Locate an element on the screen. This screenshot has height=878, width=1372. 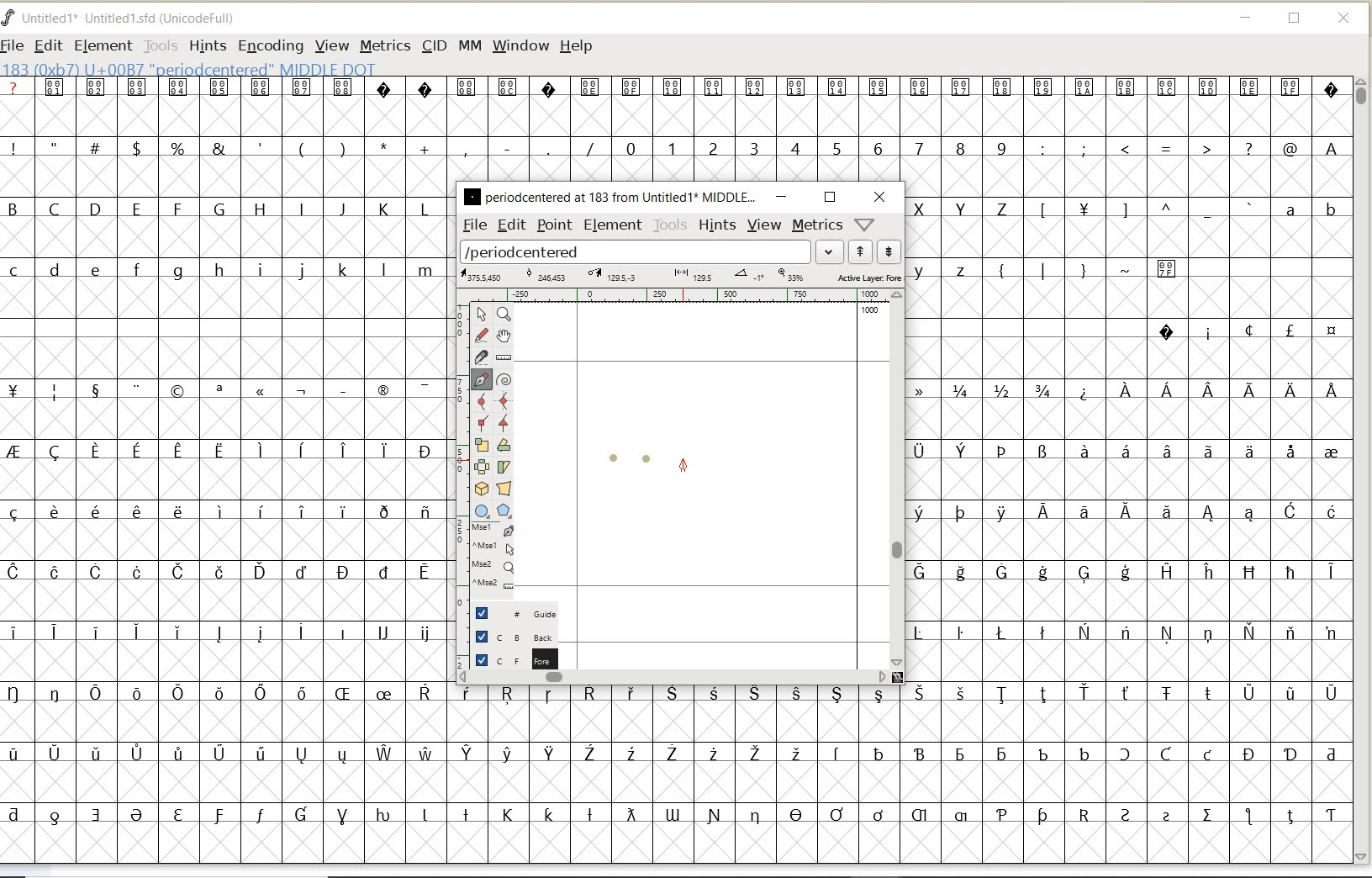
active layer is located at coordinates (679, 277).